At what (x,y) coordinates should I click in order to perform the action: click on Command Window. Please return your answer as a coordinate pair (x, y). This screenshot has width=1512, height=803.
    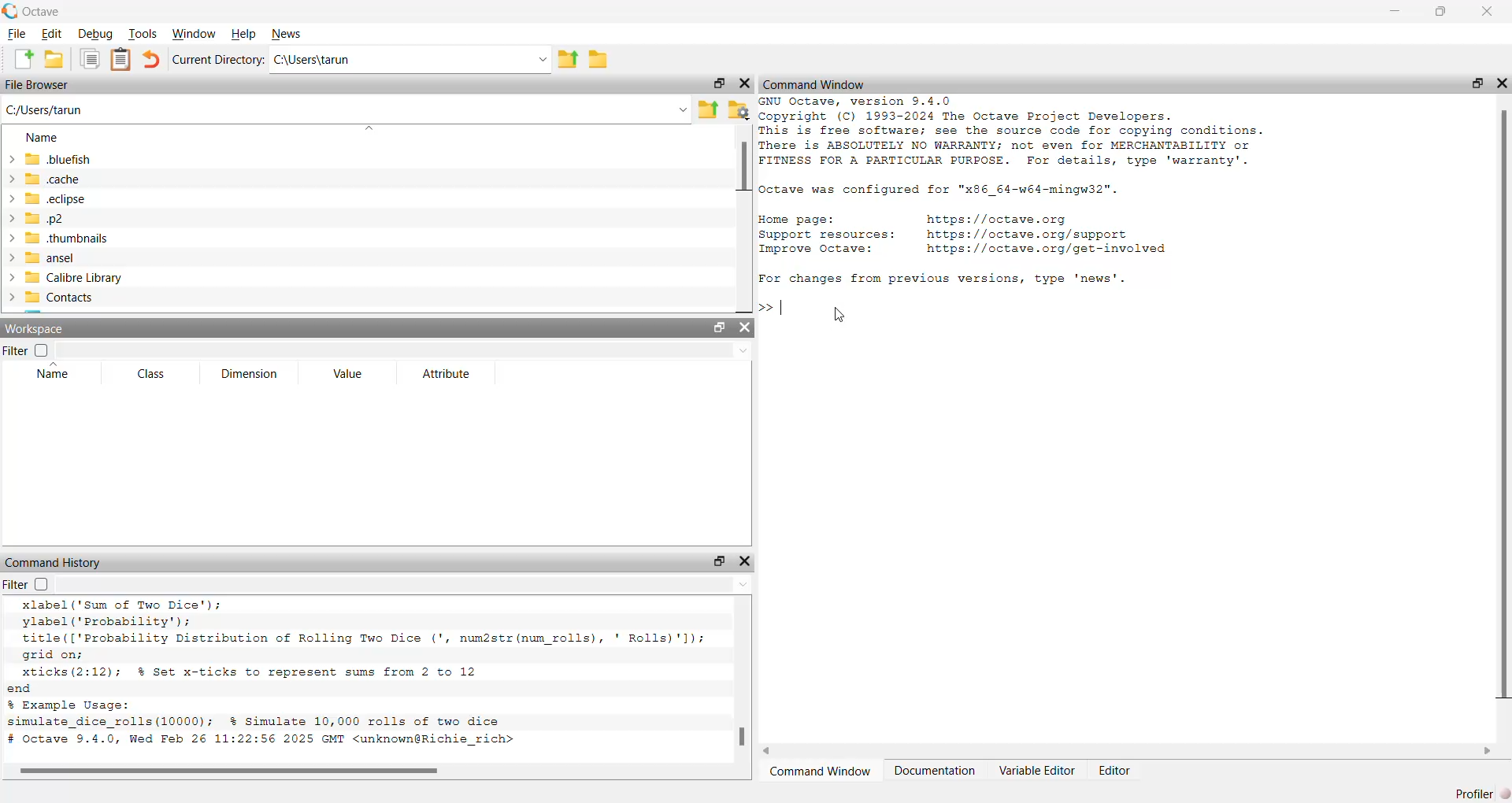
    Looking at the image, I should click on (816, 83).